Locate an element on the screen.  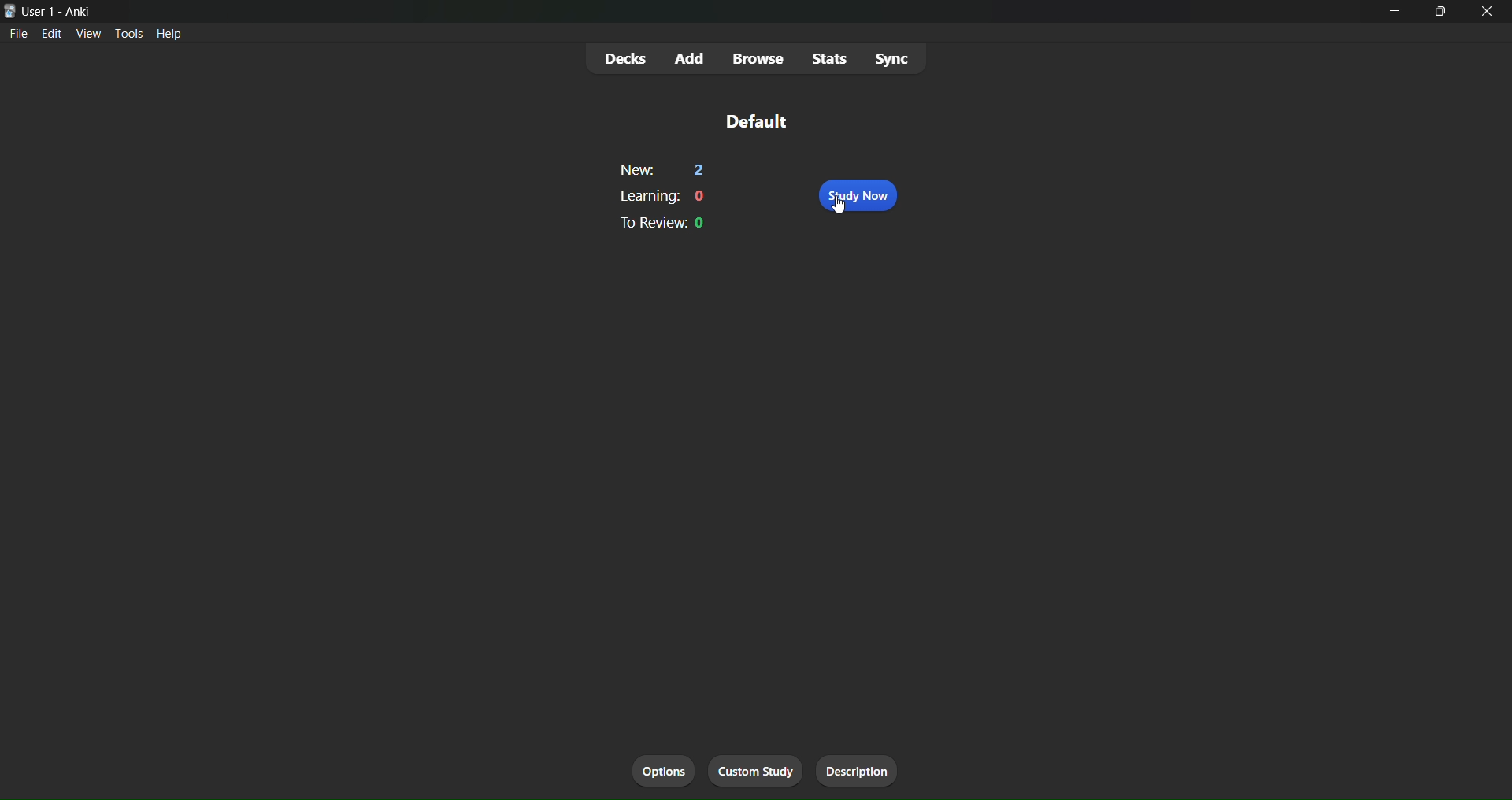
description is located at coordinates (860, 770).